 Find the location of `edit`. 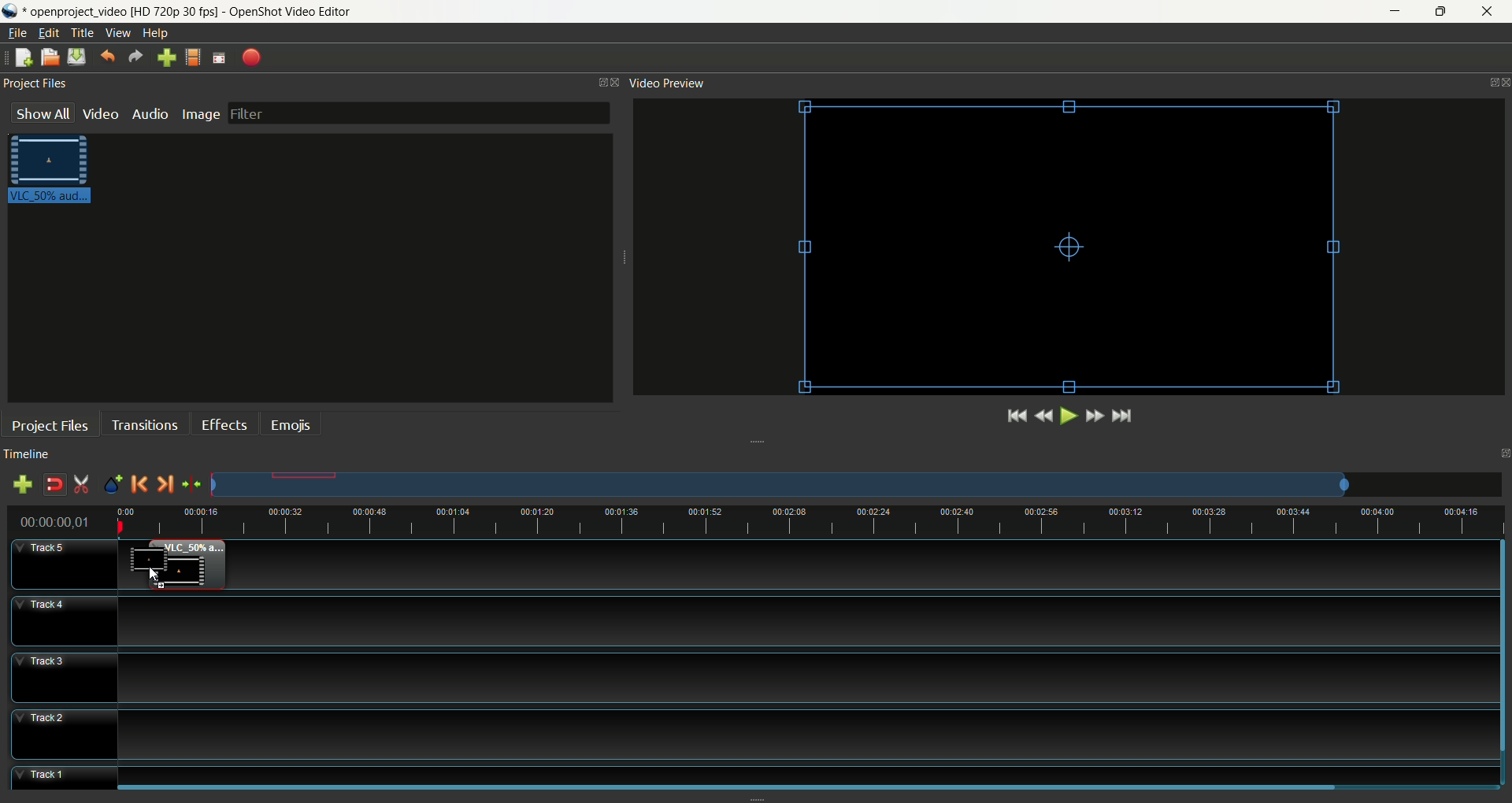

edit is located at coordinates (48, 32).